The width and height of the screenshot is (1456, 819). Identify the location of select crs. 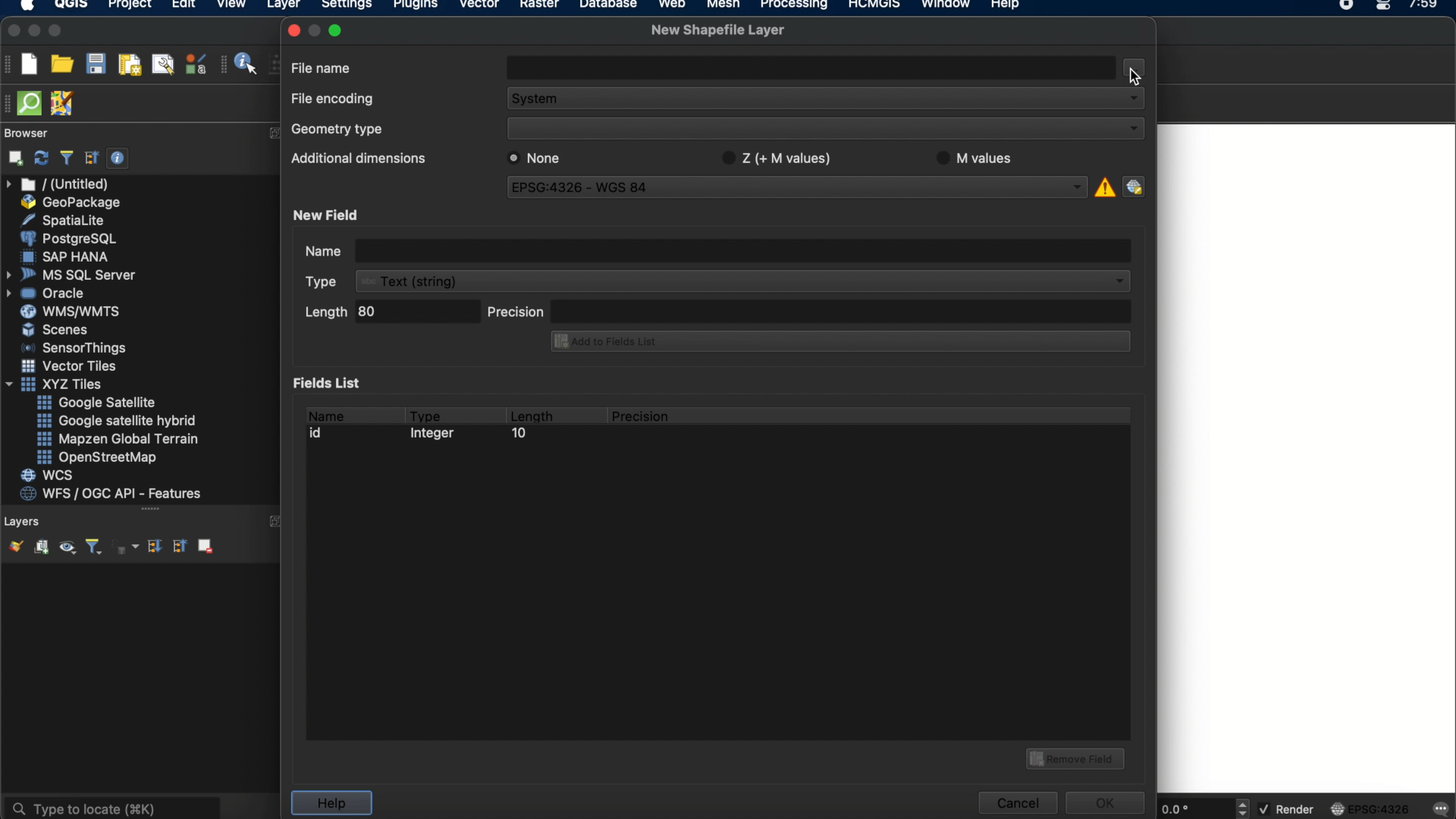
(1134, 186).